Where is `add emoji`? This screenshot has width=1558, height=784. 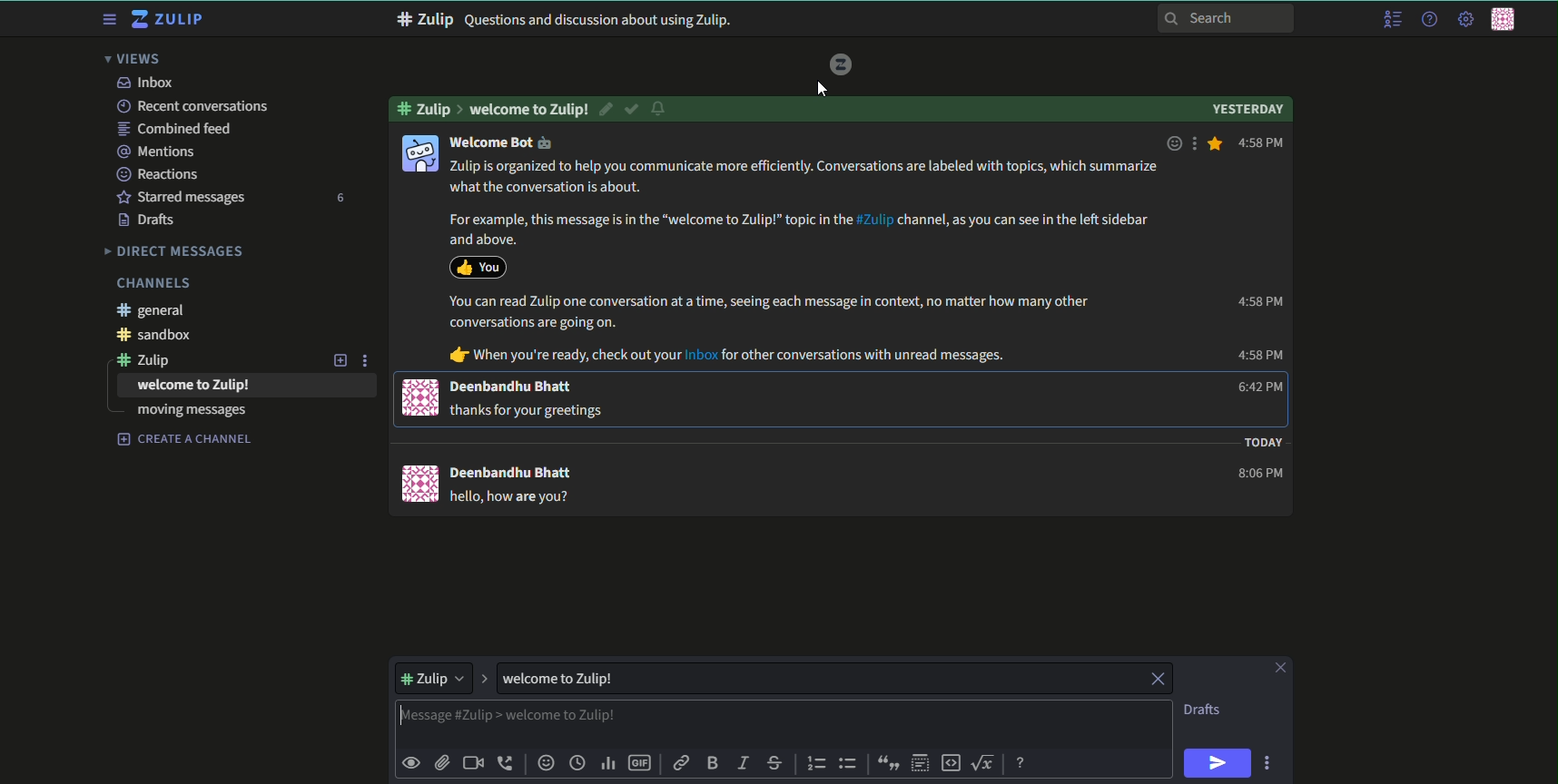 add emoji is located at coordinates (545, 763).